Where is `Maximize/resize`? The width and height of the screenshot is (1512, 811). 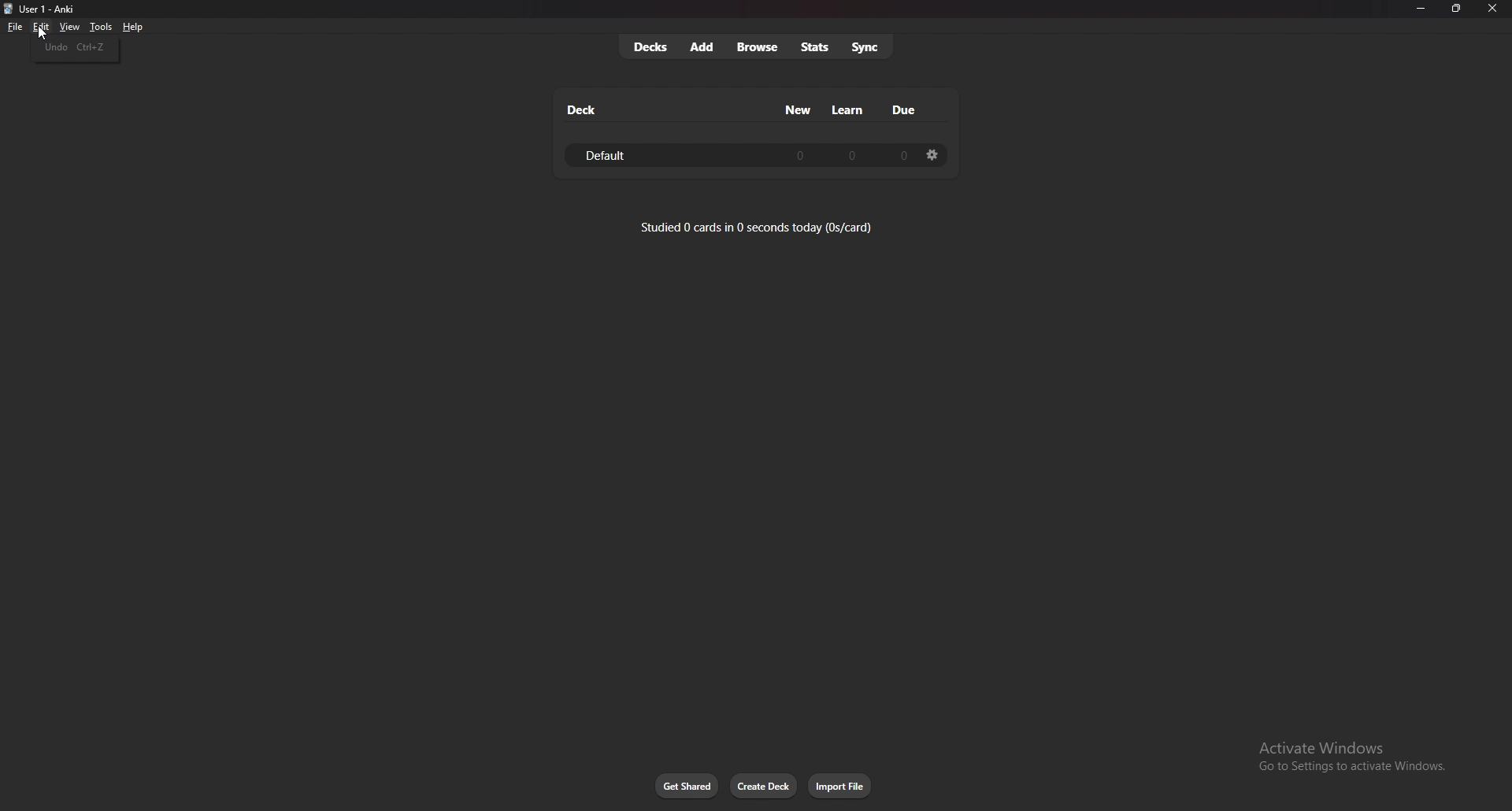
Maximize/resize is located at coordinates (1455, 9).